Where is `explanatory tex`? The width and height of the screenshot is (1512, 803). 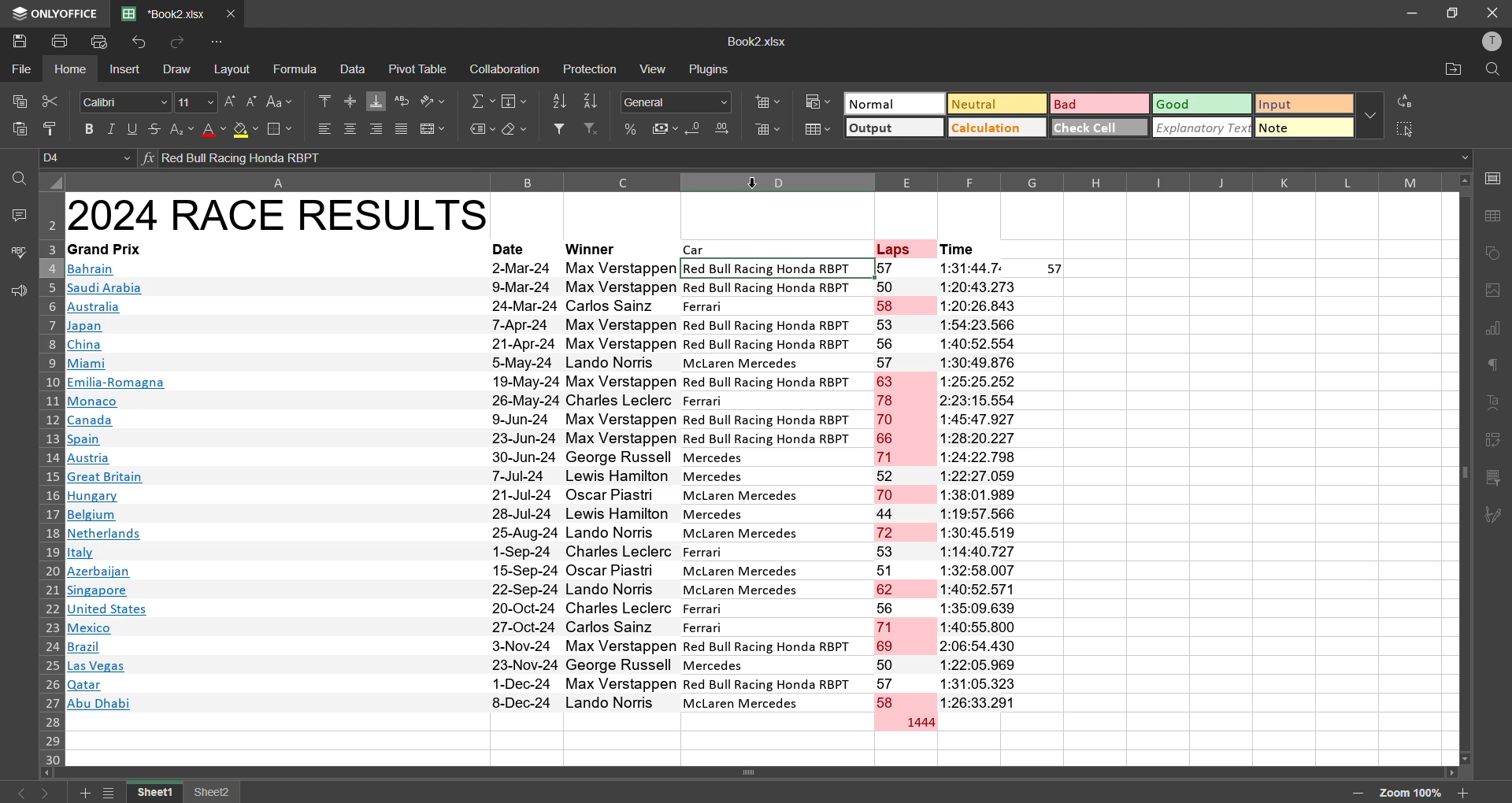
explanatory tex is located at coordinates (1203, 128).